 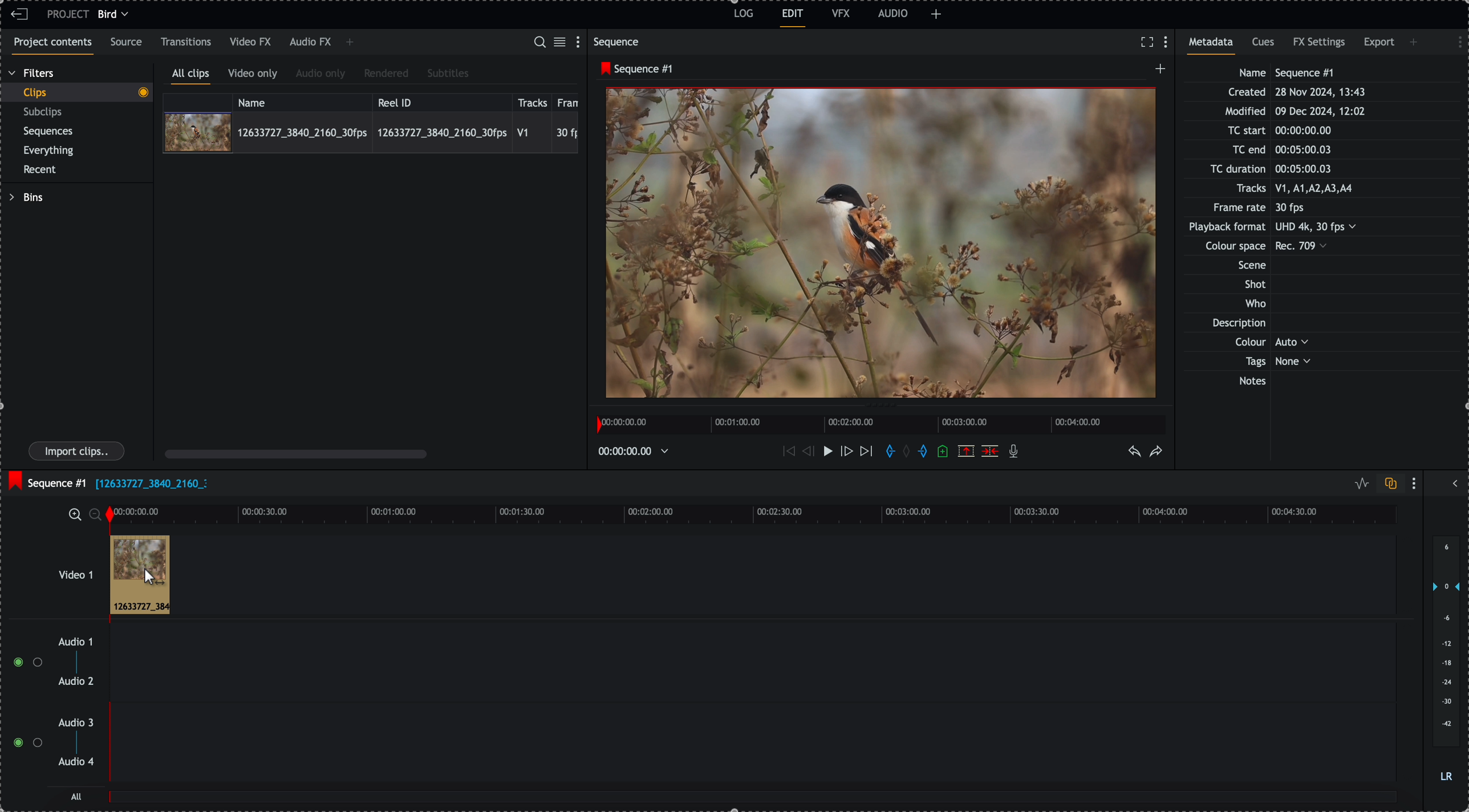 I want to click on FX settings, so click(x=1320, y=44).